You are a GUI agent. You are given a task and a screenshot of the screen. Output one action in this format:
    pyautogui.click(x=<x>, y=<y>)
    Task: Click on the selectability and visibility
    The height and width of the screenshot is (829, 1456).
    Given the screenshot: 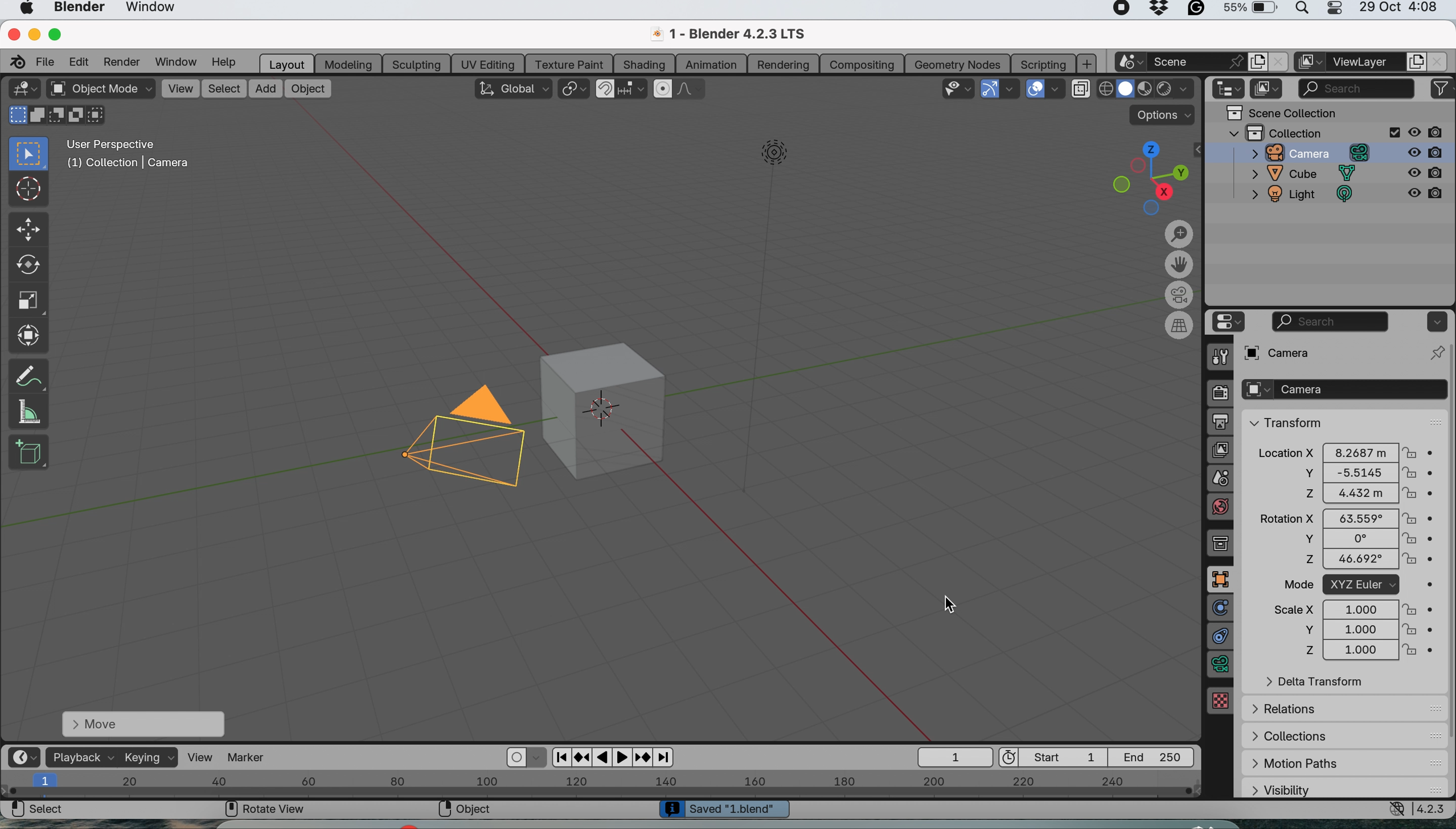 What is the action you would take?
    pyautogui.click(x=959, y=87)
    